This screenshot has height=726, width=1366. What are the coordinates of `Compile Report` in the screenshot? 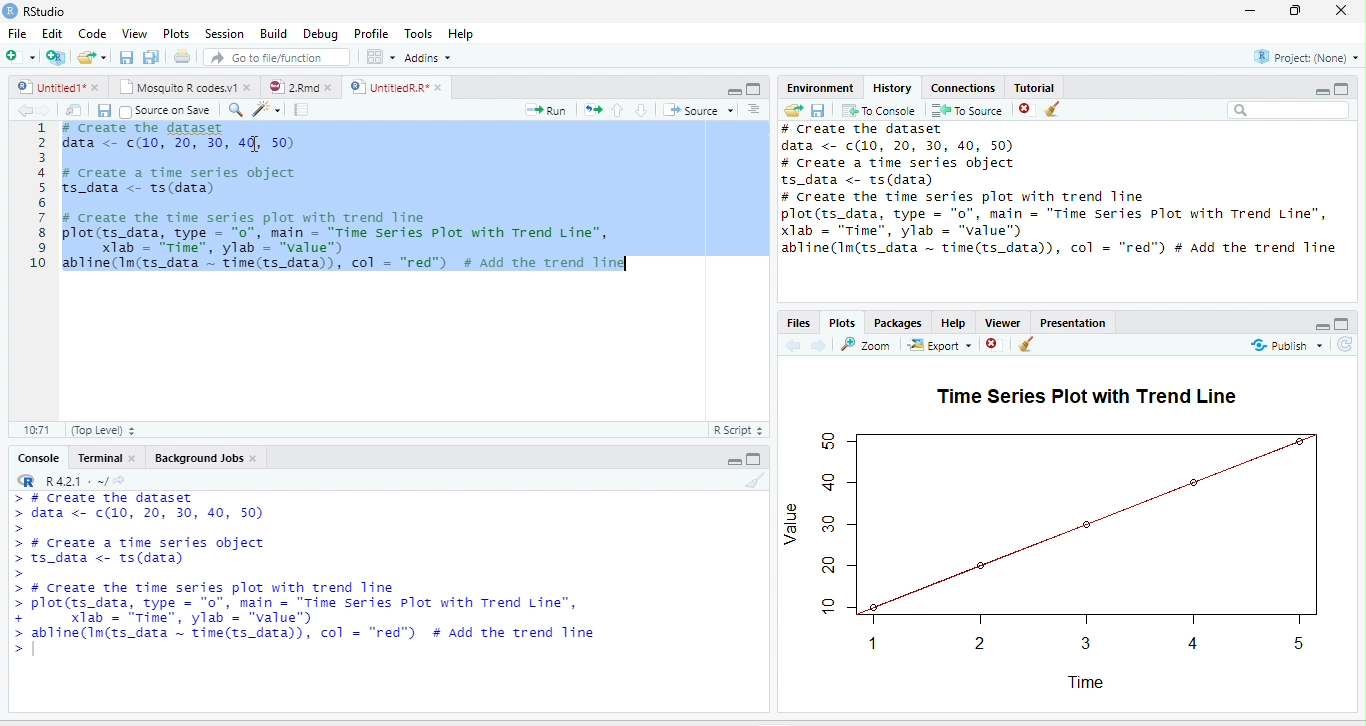 It's located at (302, 110).